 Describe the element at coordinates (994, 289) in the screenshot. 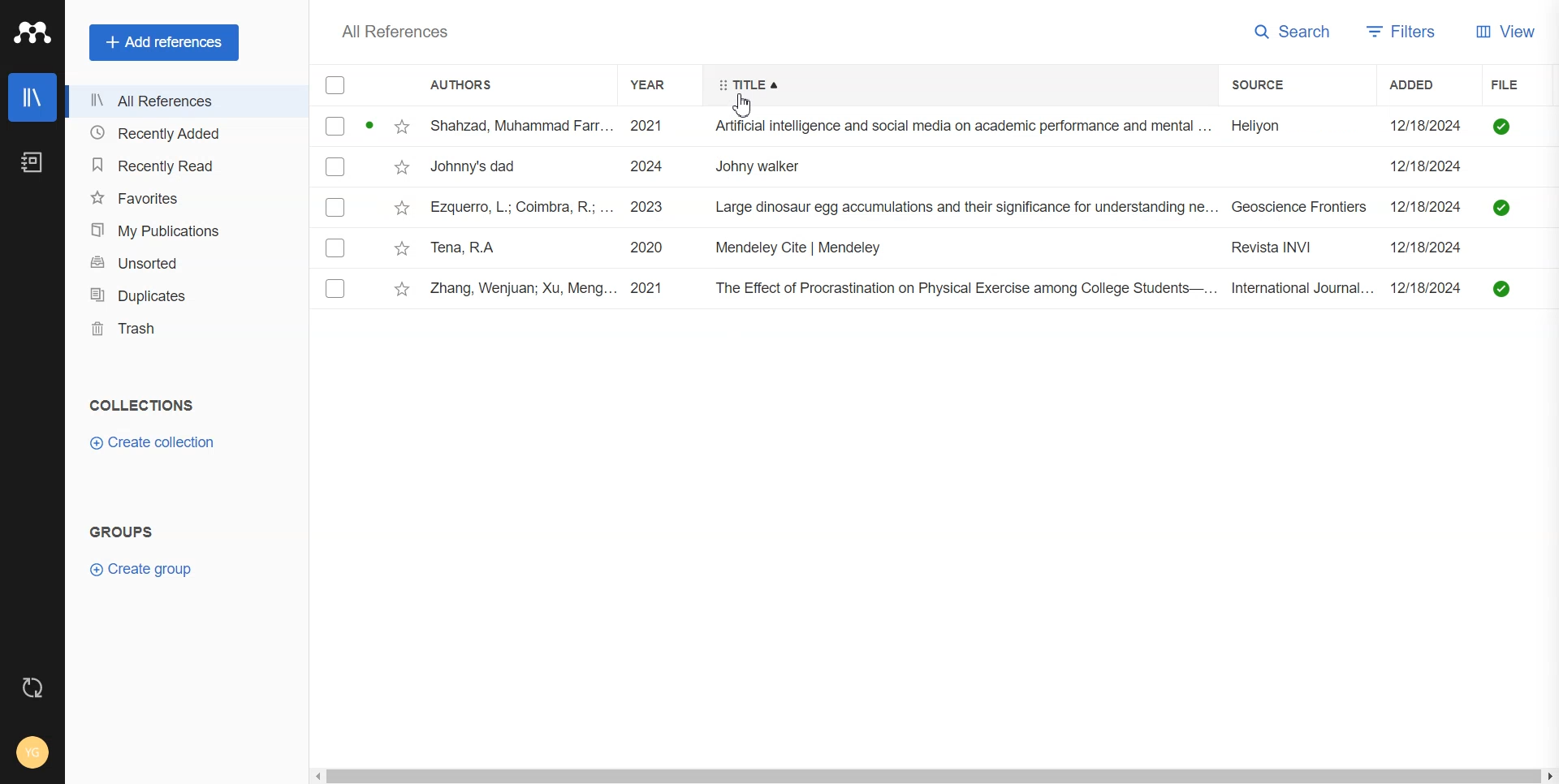

I see `File` at that location.